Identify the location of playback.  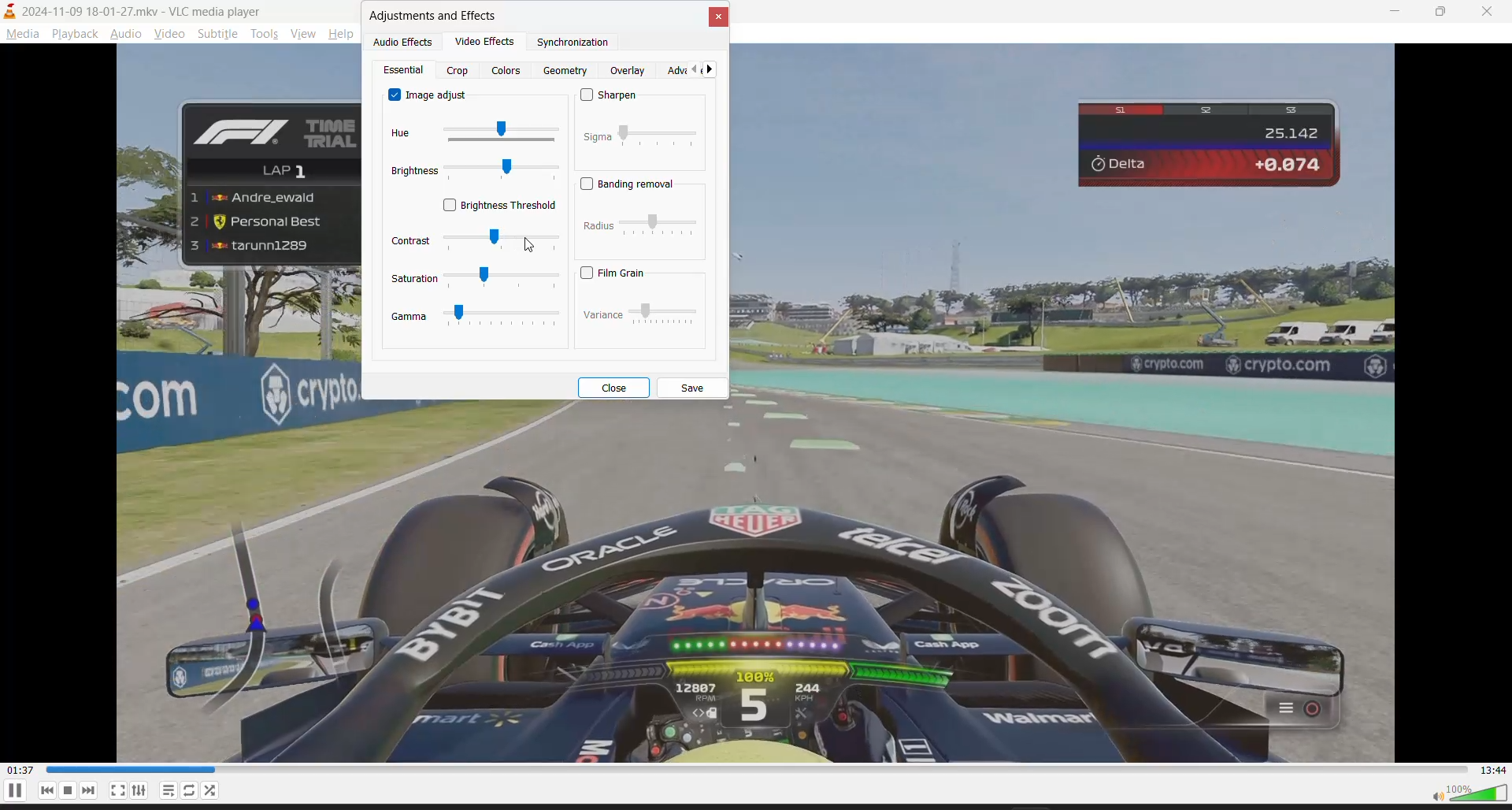
(76, 34).